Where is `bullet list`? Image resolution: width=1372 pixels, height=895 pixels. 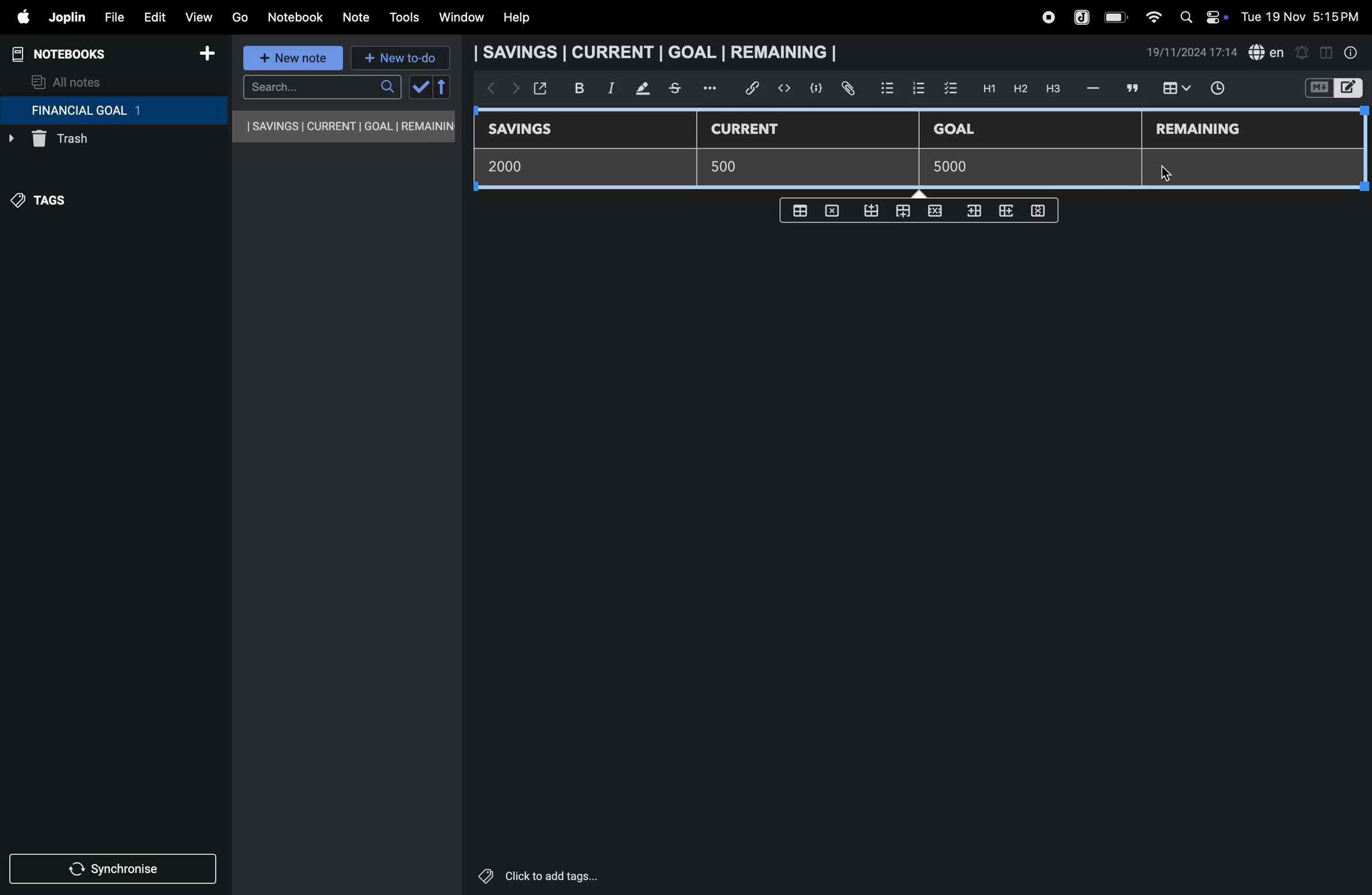
bullet list is located at coordinates (887, 87).